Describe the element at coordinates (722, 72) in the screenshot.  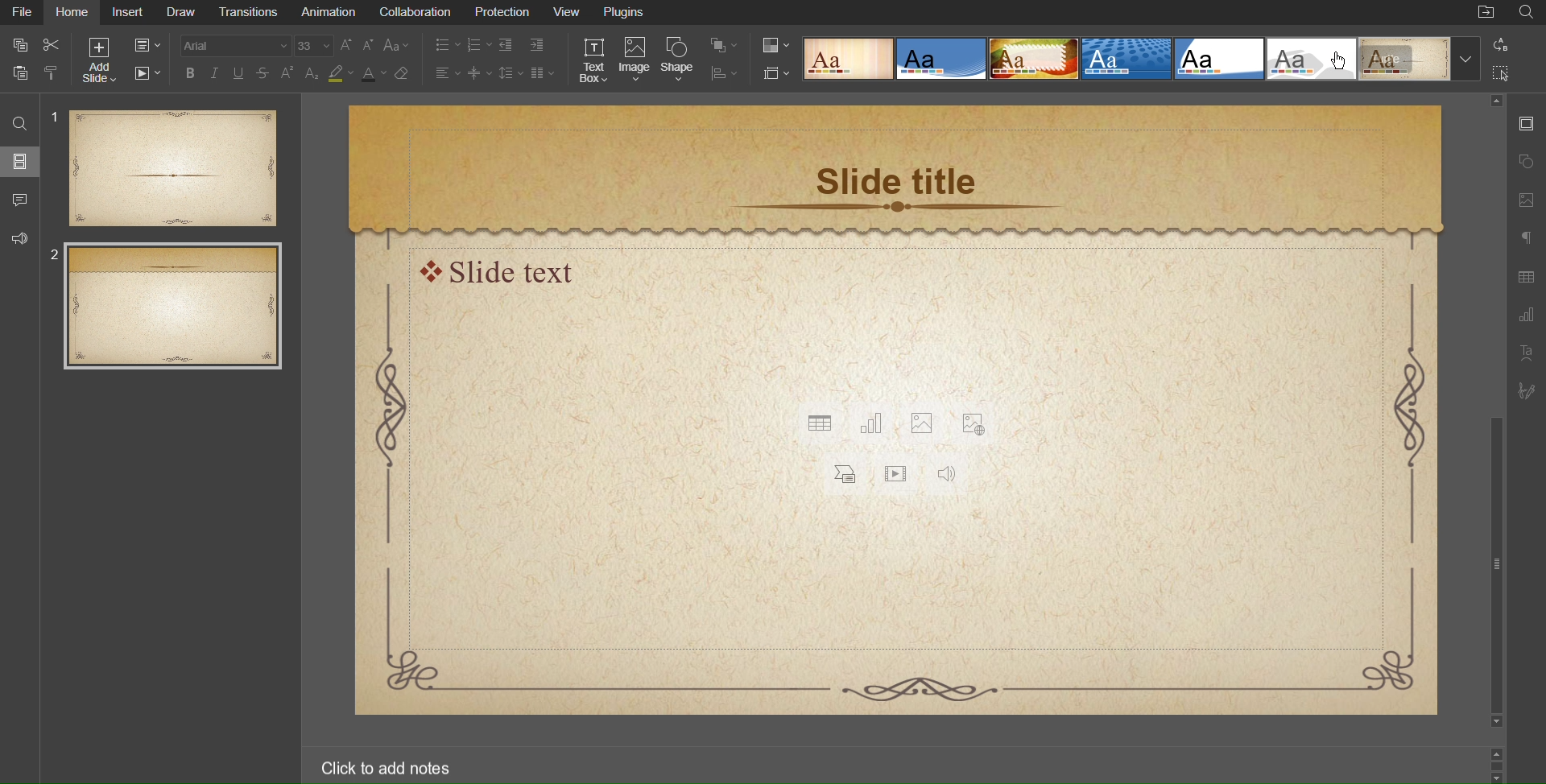
I see `Distribute` at that location.